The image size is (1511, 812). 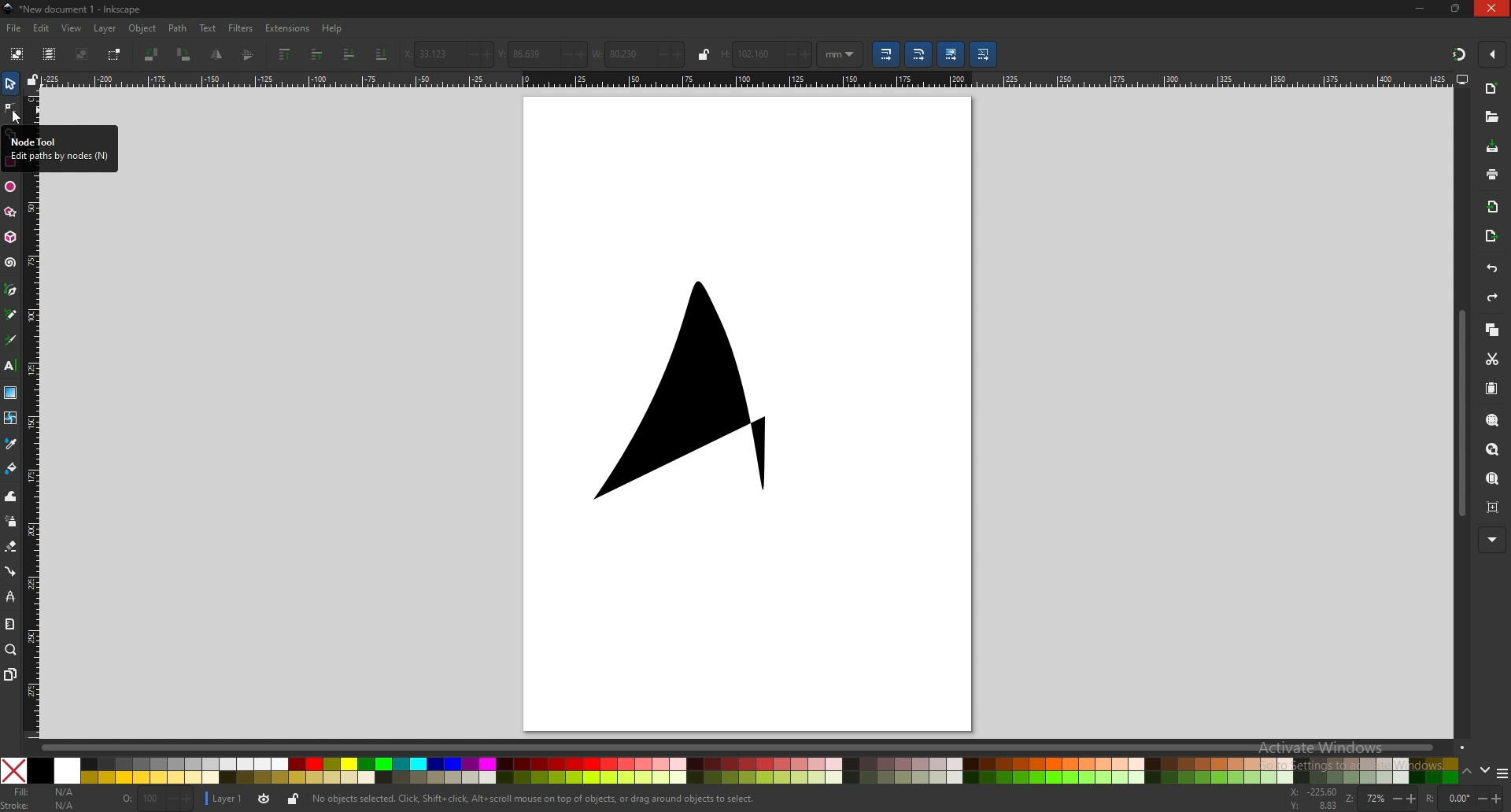 I want to click on colors, so click(x=730, y=770).